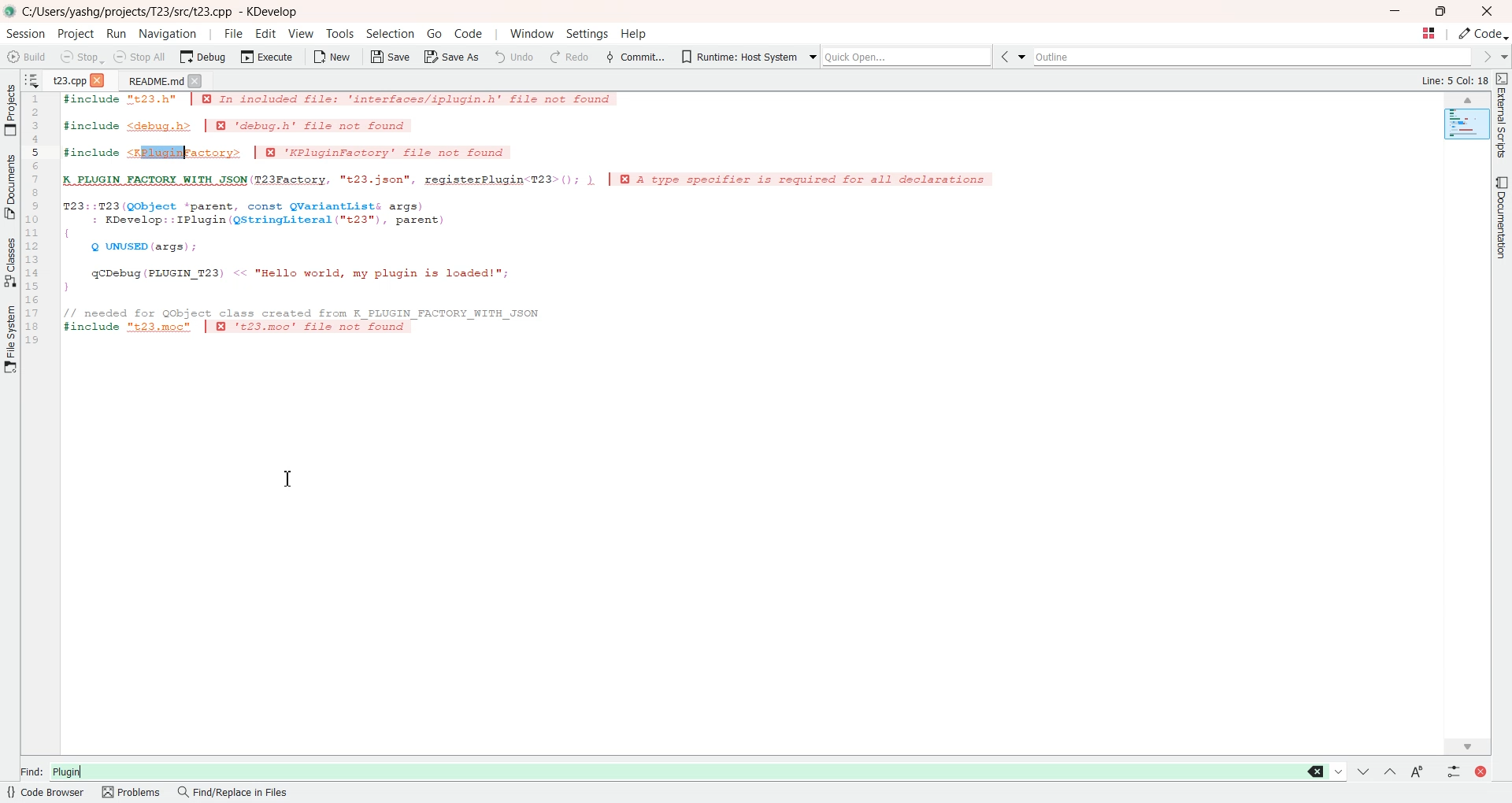 This screenshot has width=1512, height=803. Describe the element at coordinates (152, 80) in the screenshot. I see `Read me folder` at that location.